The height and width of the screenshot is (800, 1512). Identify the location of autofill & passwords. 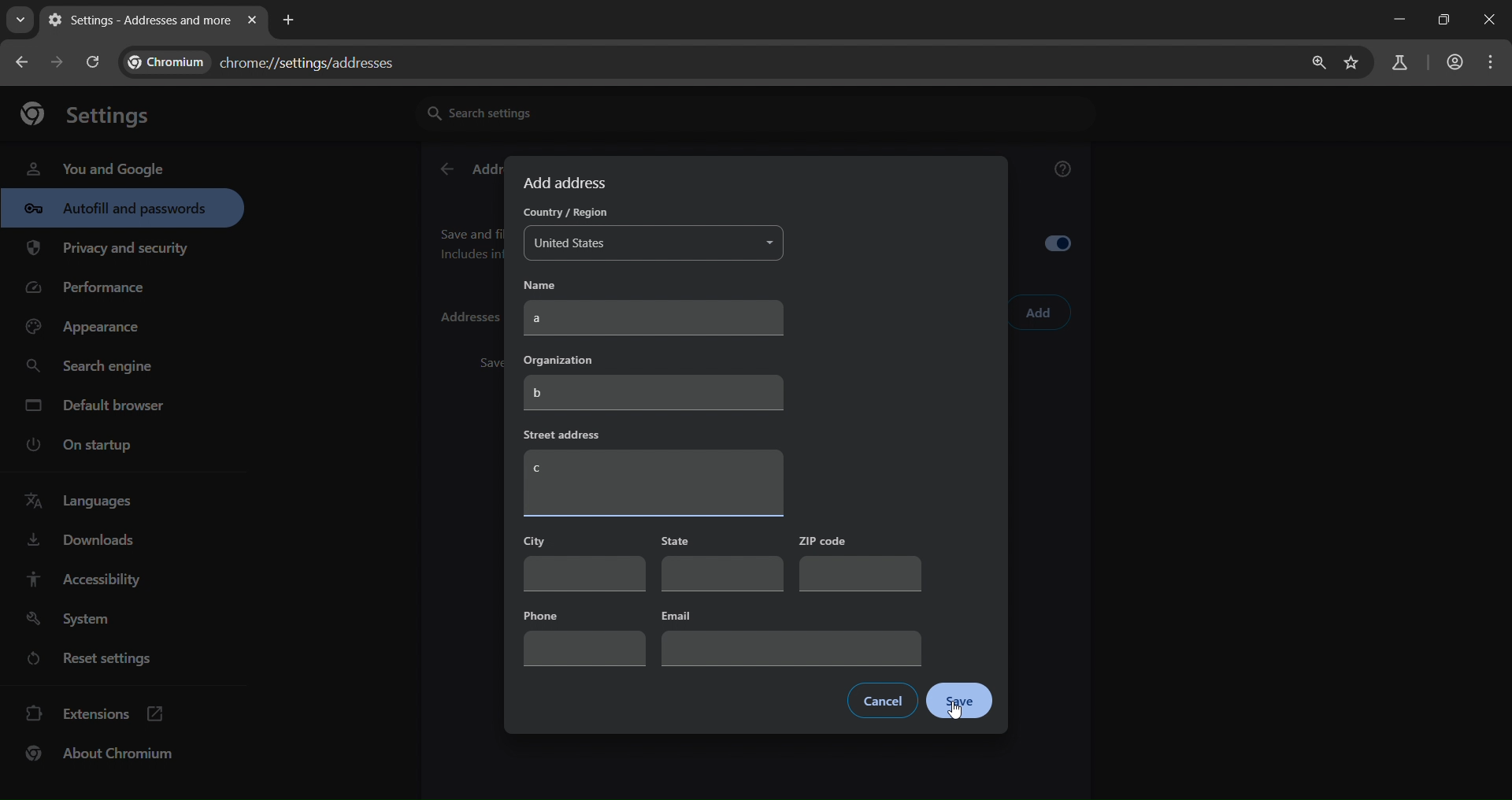
(122, 208).